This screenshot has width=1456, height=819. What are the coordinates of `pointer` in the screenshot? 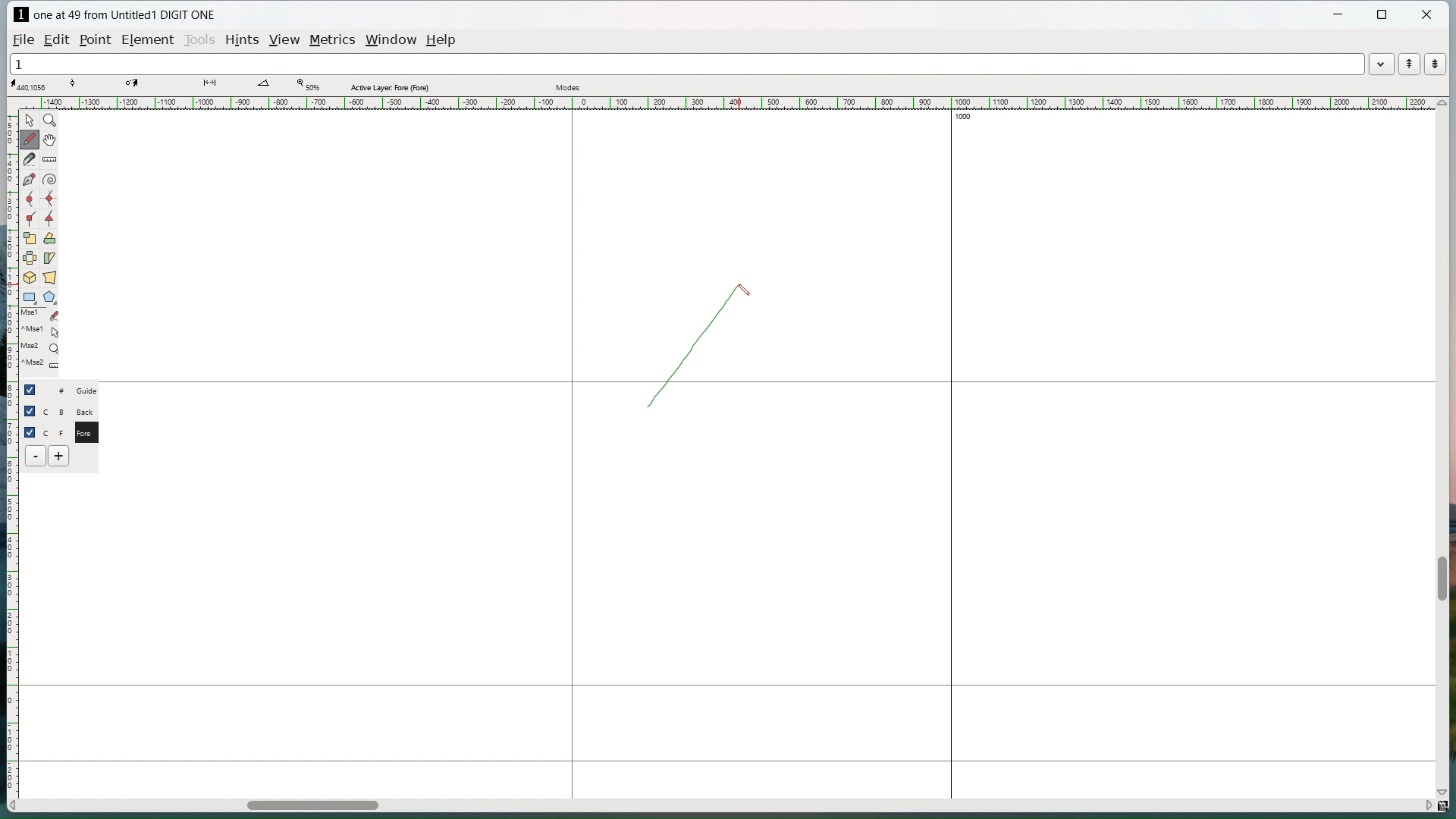 It's located at (30, 120).